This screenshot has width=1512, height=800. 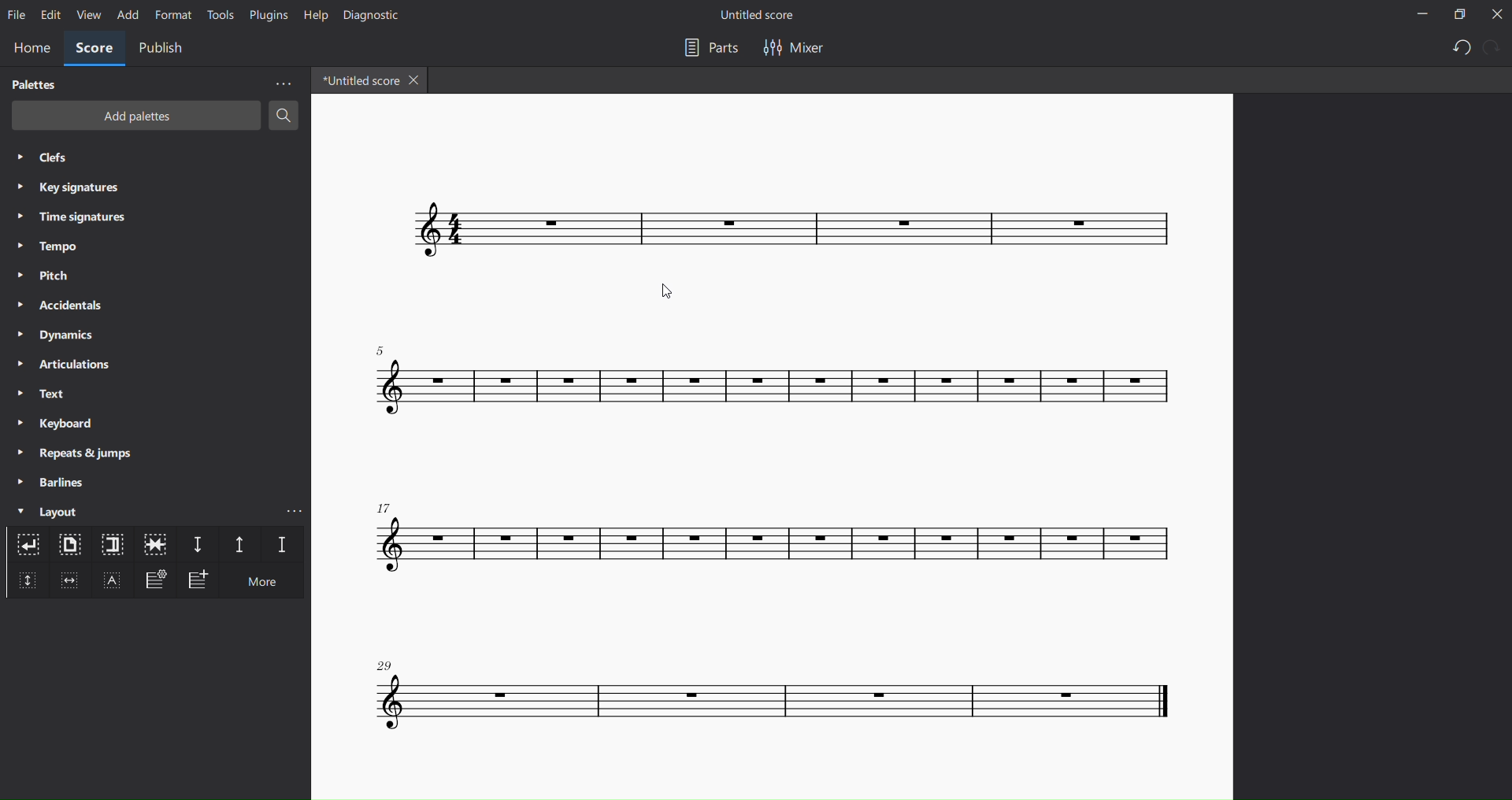 What do you see at coordinates (110, 546) in the screenshot?
I see `section break` at bounding box center [110, 546].